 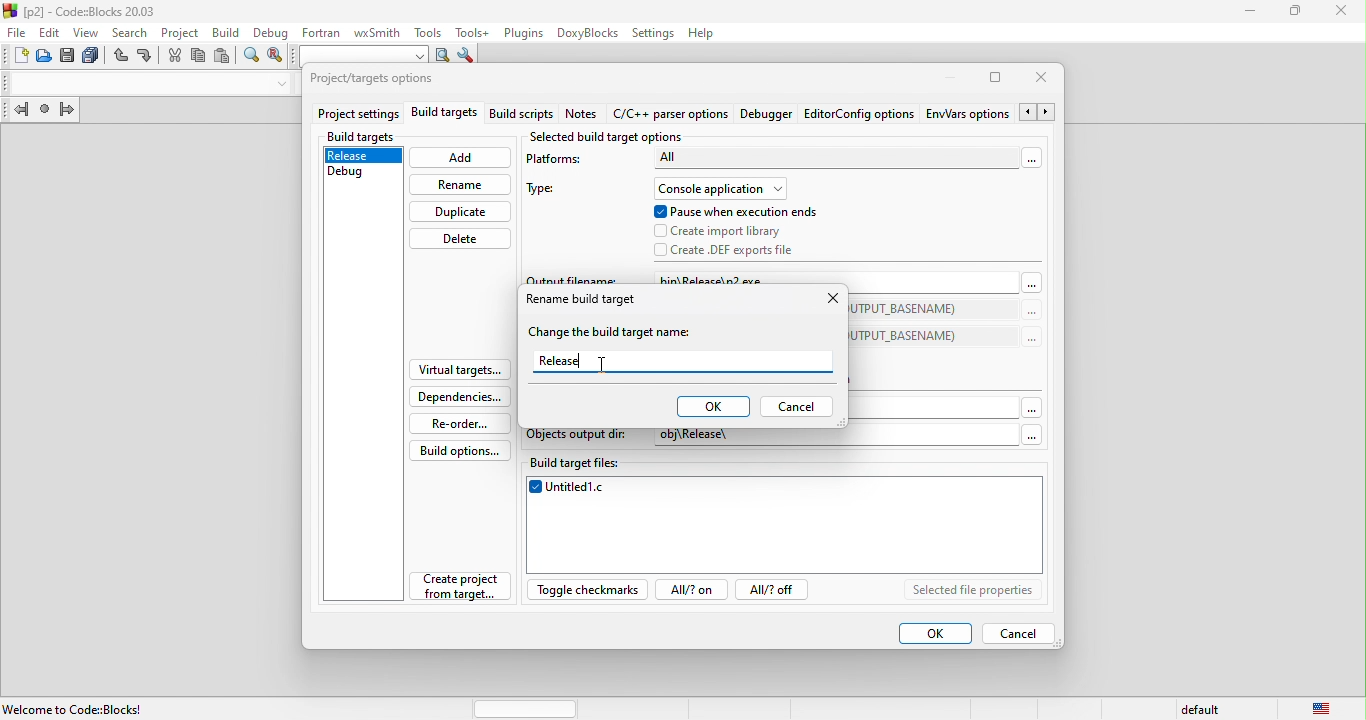 What do you see at coordinates (459, 240) in the screenshot?
I see `delete` at bounding box center [459, 240].